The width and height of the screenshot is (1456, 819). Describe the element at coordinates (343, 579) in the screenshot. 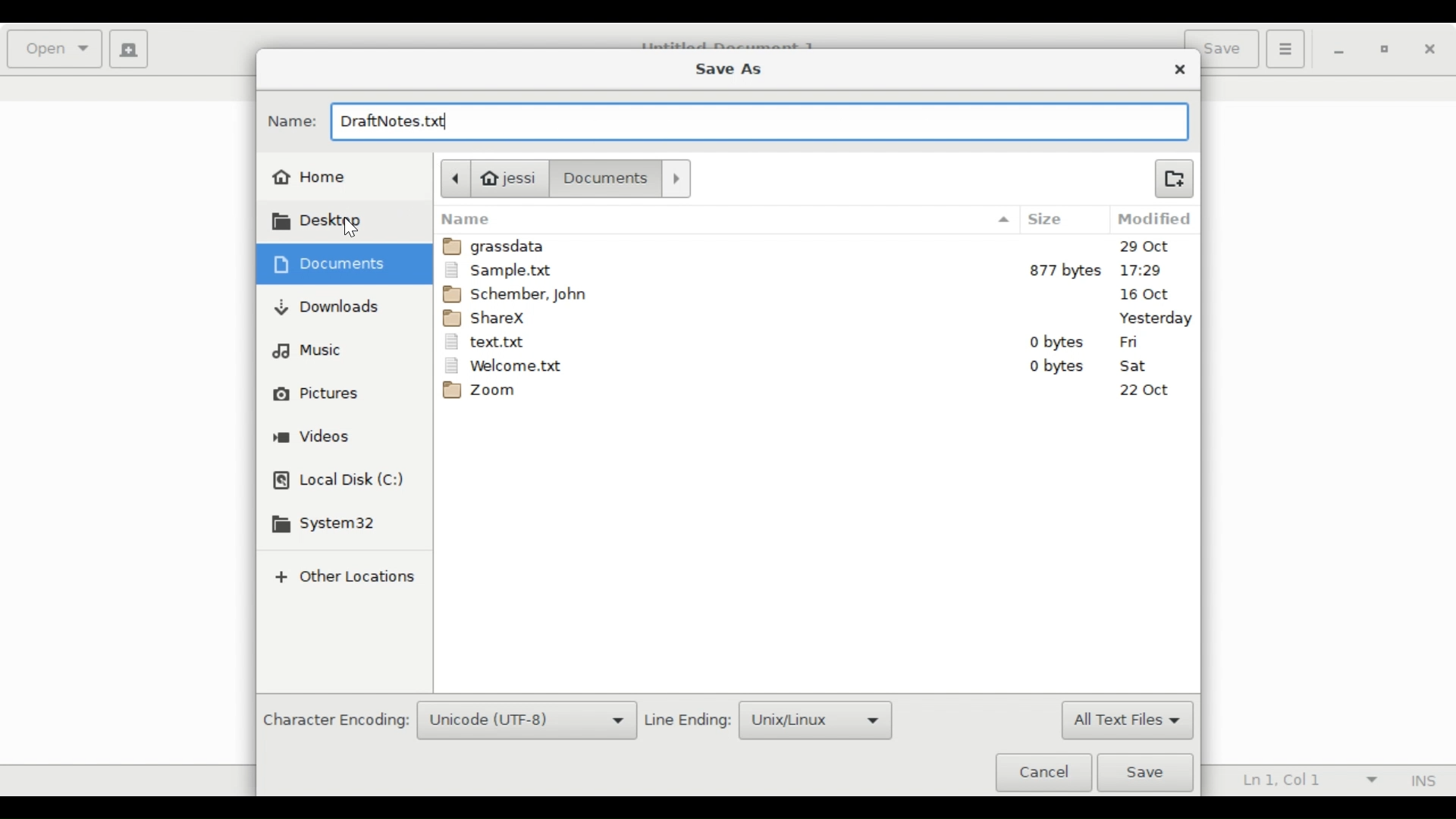

I see `Other locations` at that location.